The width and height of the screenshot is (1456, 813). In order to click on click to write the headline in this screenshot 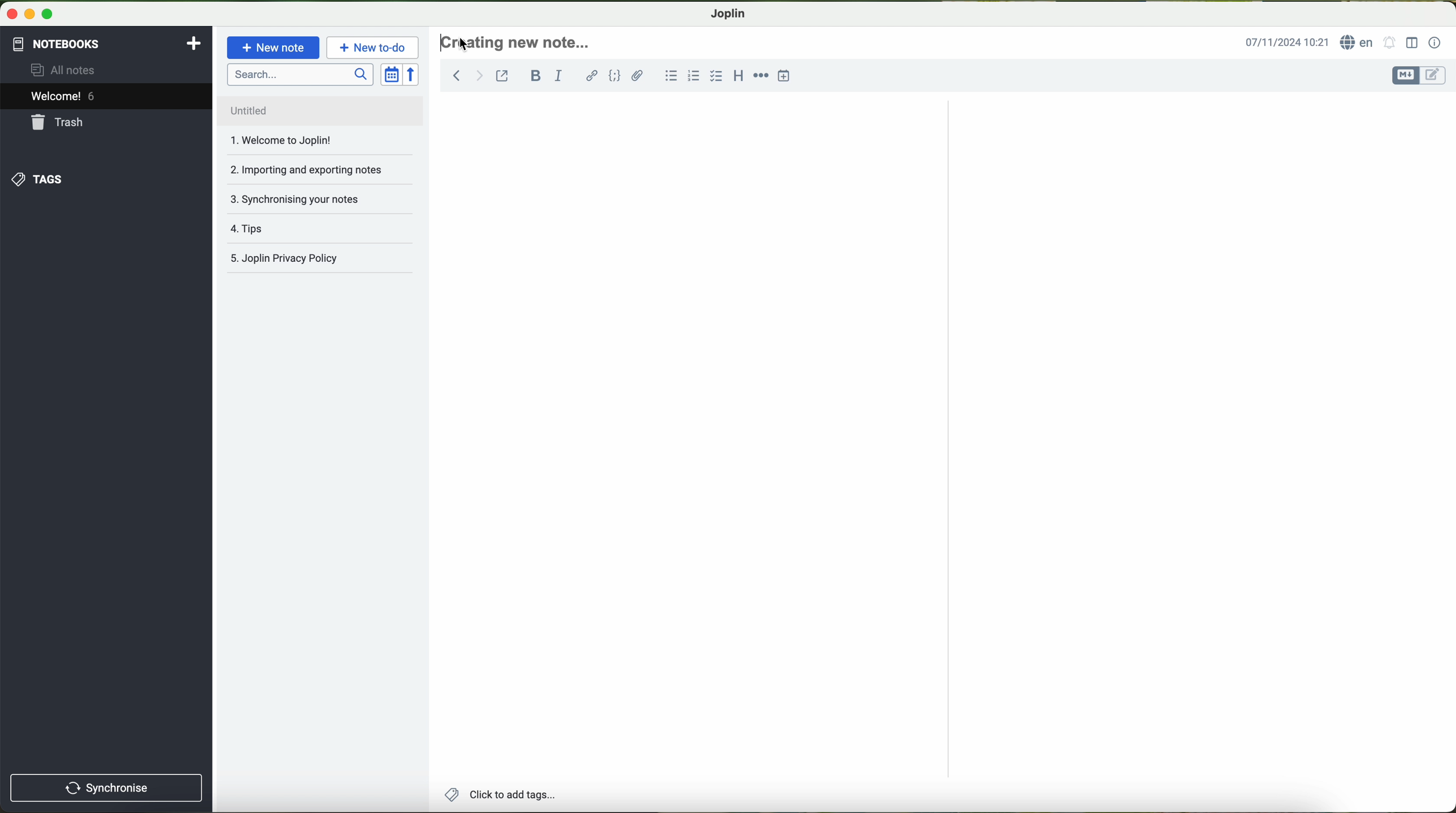, I will do `click(513, 47)`.